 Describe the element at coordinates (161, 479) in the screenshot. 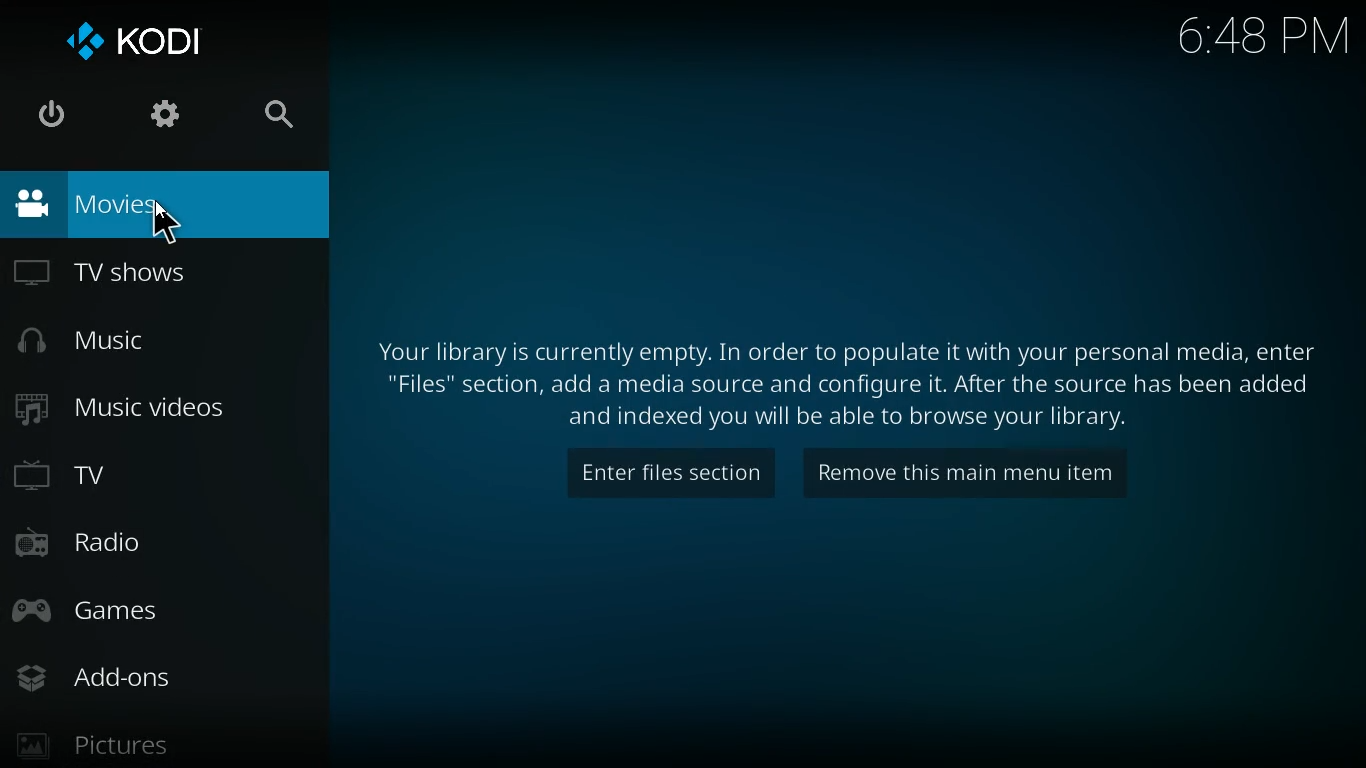

I see `tv` at that location.